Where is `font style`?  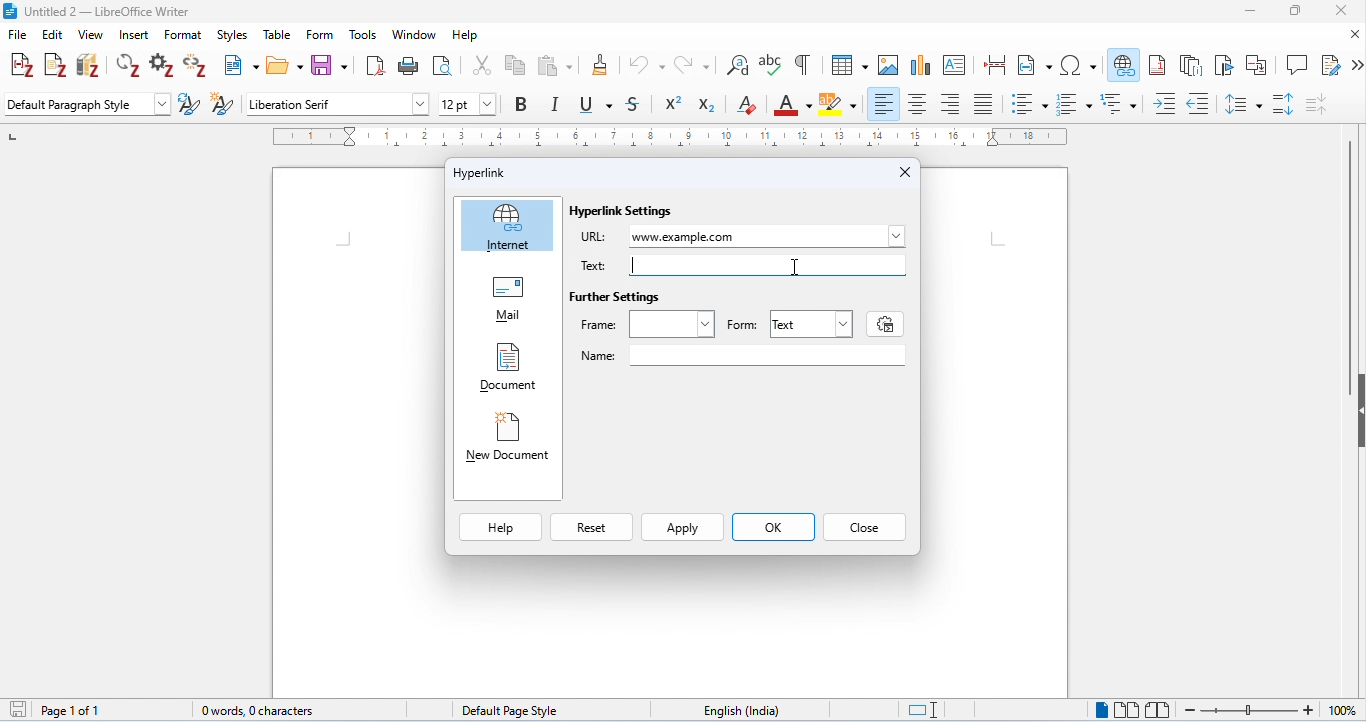
font style is located at coordinates (338, 105).